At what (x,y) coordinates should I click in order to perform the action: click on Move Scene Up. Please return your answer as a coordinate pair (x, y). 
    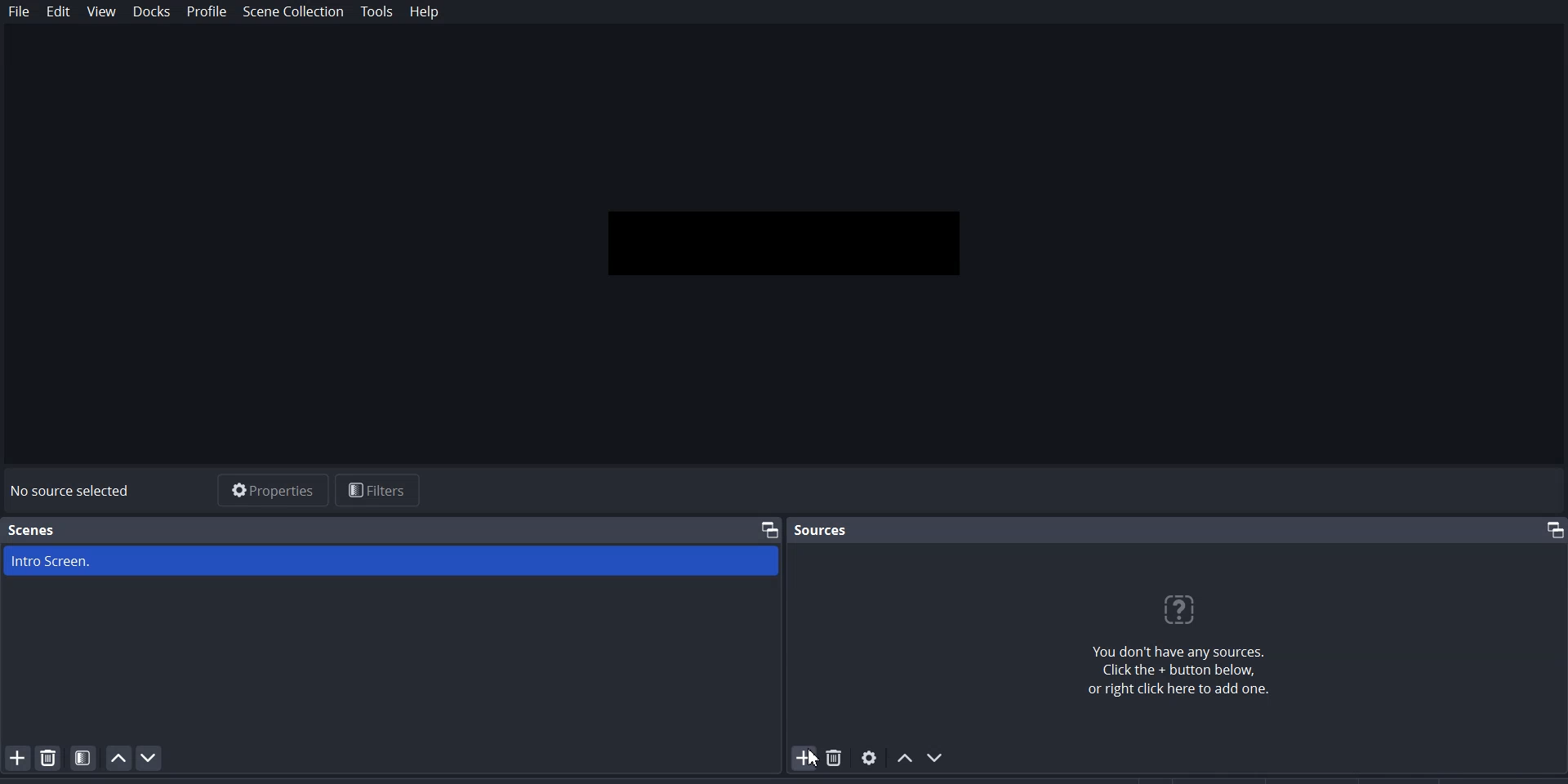
    Looking at the image, I should click on (118, 758).